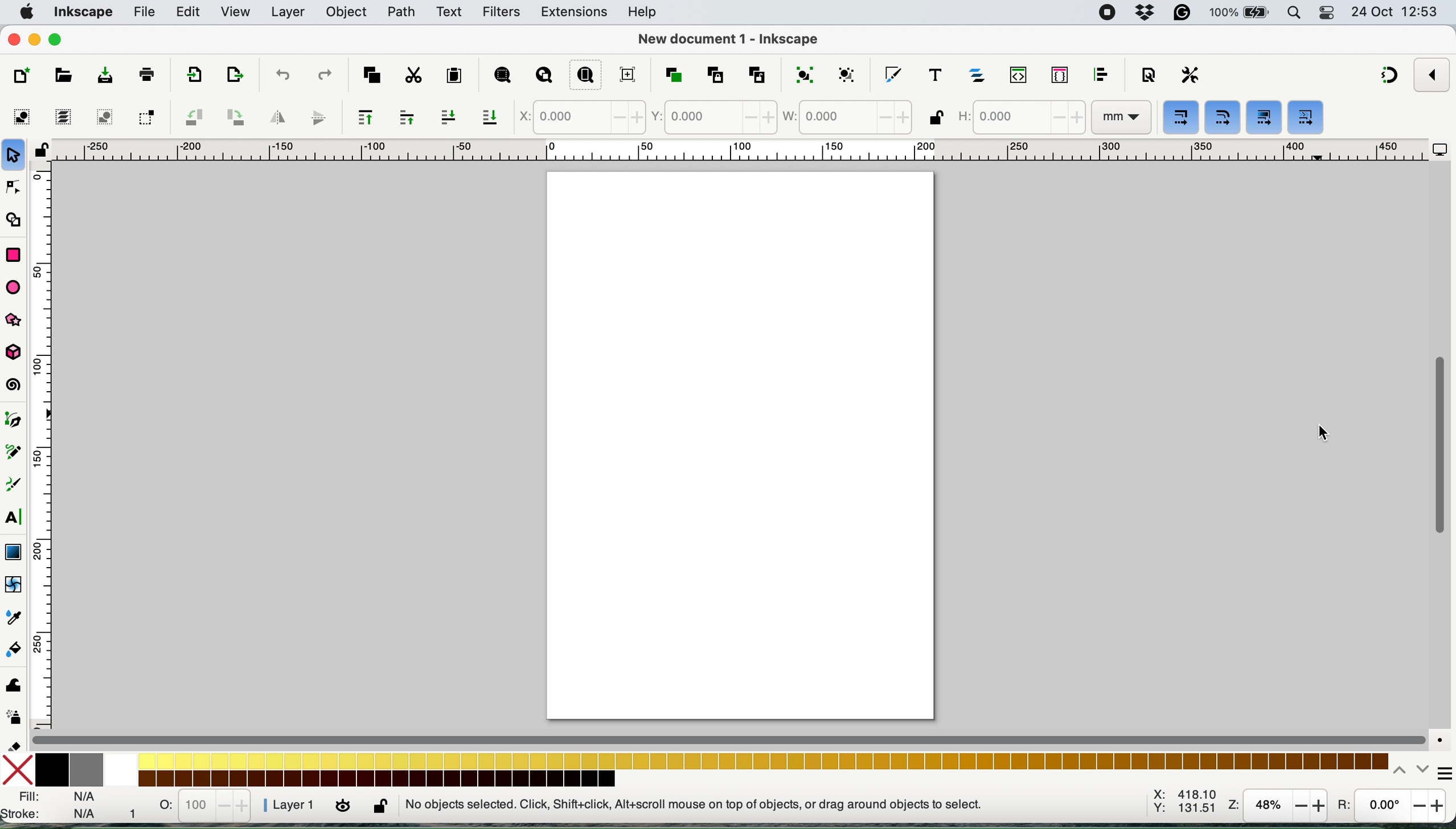 Image resolution: width=1456 pixels, height=829 pixels. Describe the element at coordinates (287, 14) in the screenshot. I see `layer` at that location.